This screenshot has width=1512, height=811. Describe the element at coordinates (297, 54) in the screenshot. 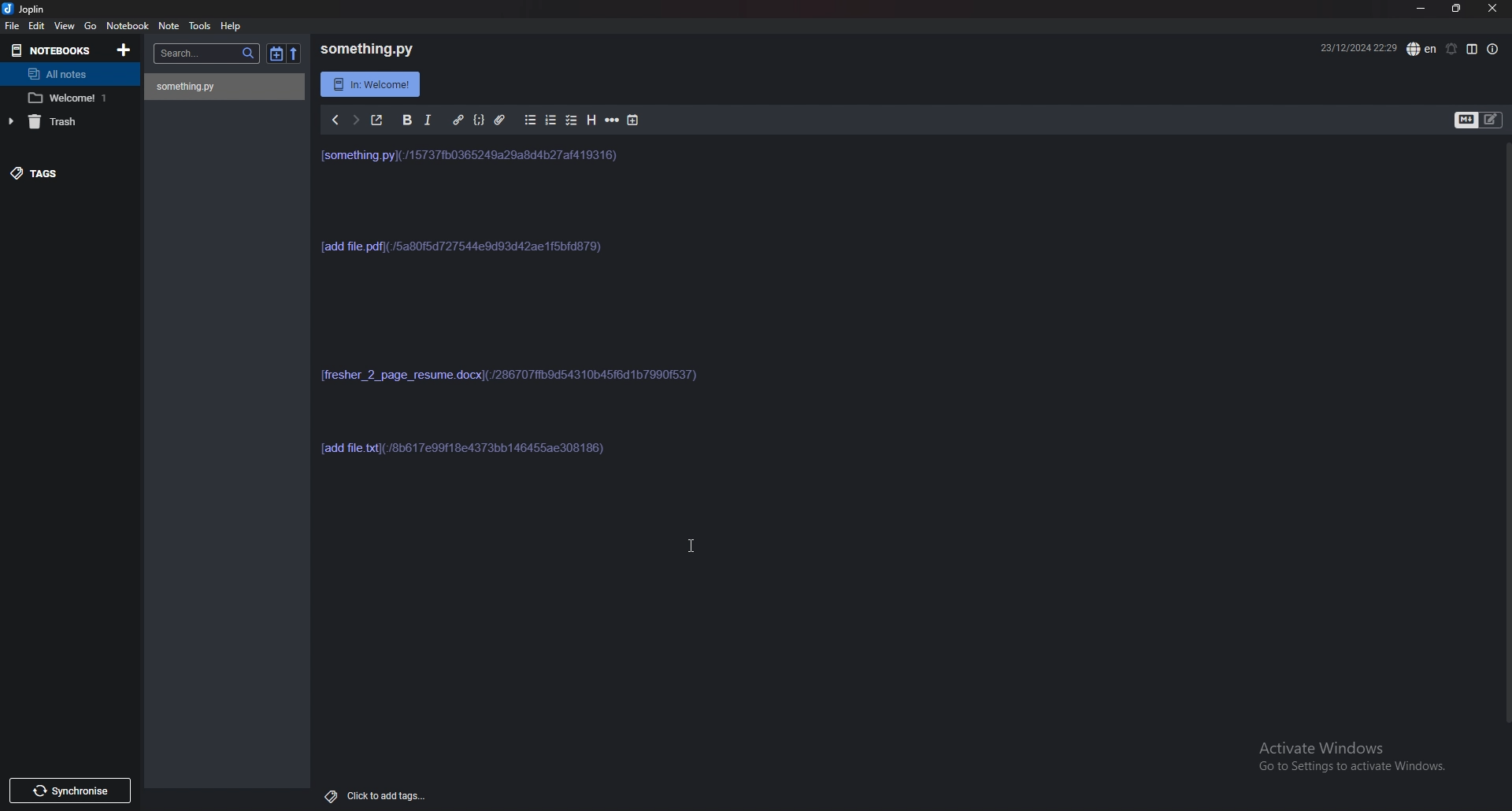

I see `reverse sort order` at that location.